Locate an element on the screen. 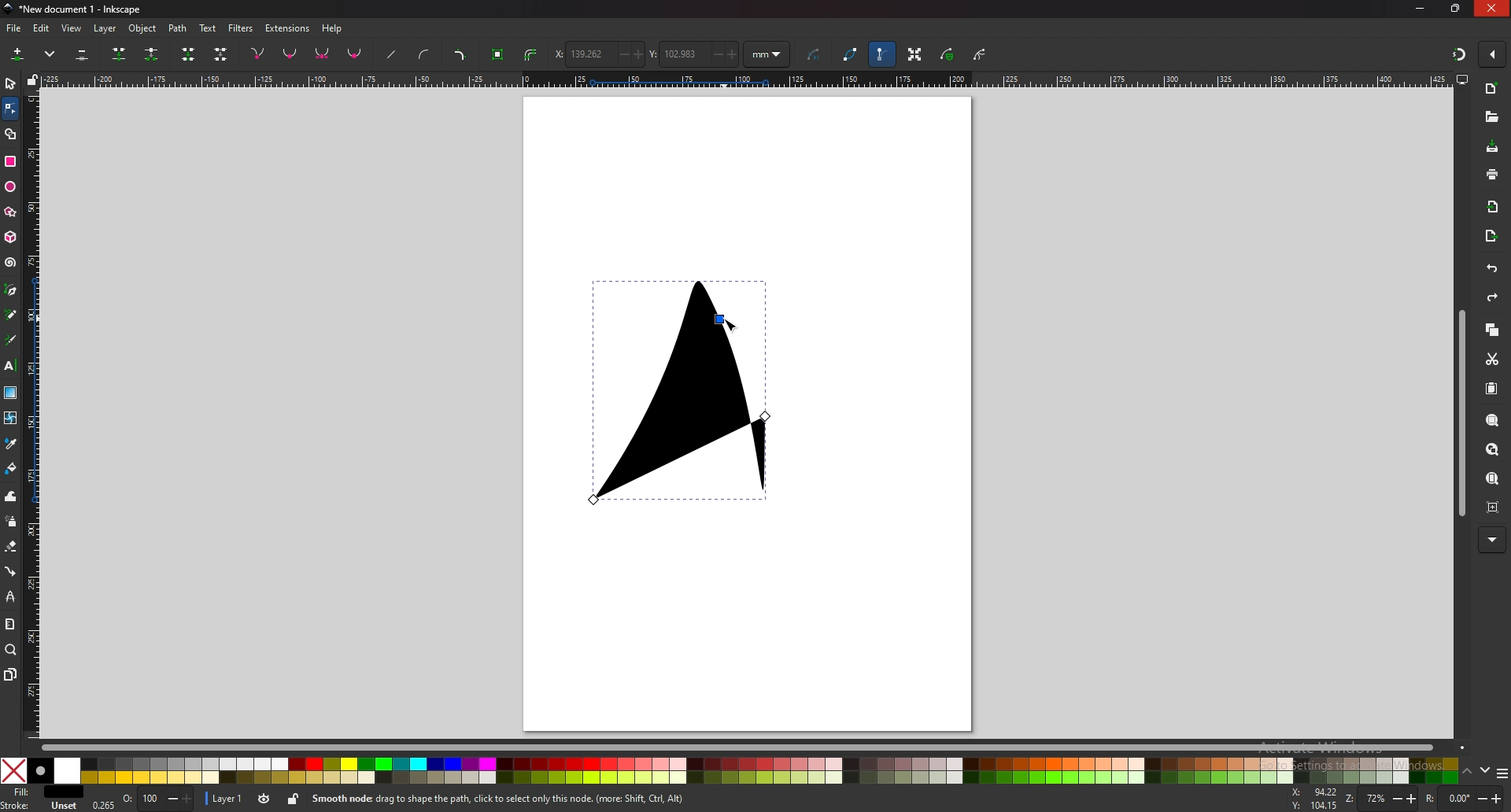 Image resolution: width=1511 pixels, height=812 pixels. more is located at coordinates (50, 54).